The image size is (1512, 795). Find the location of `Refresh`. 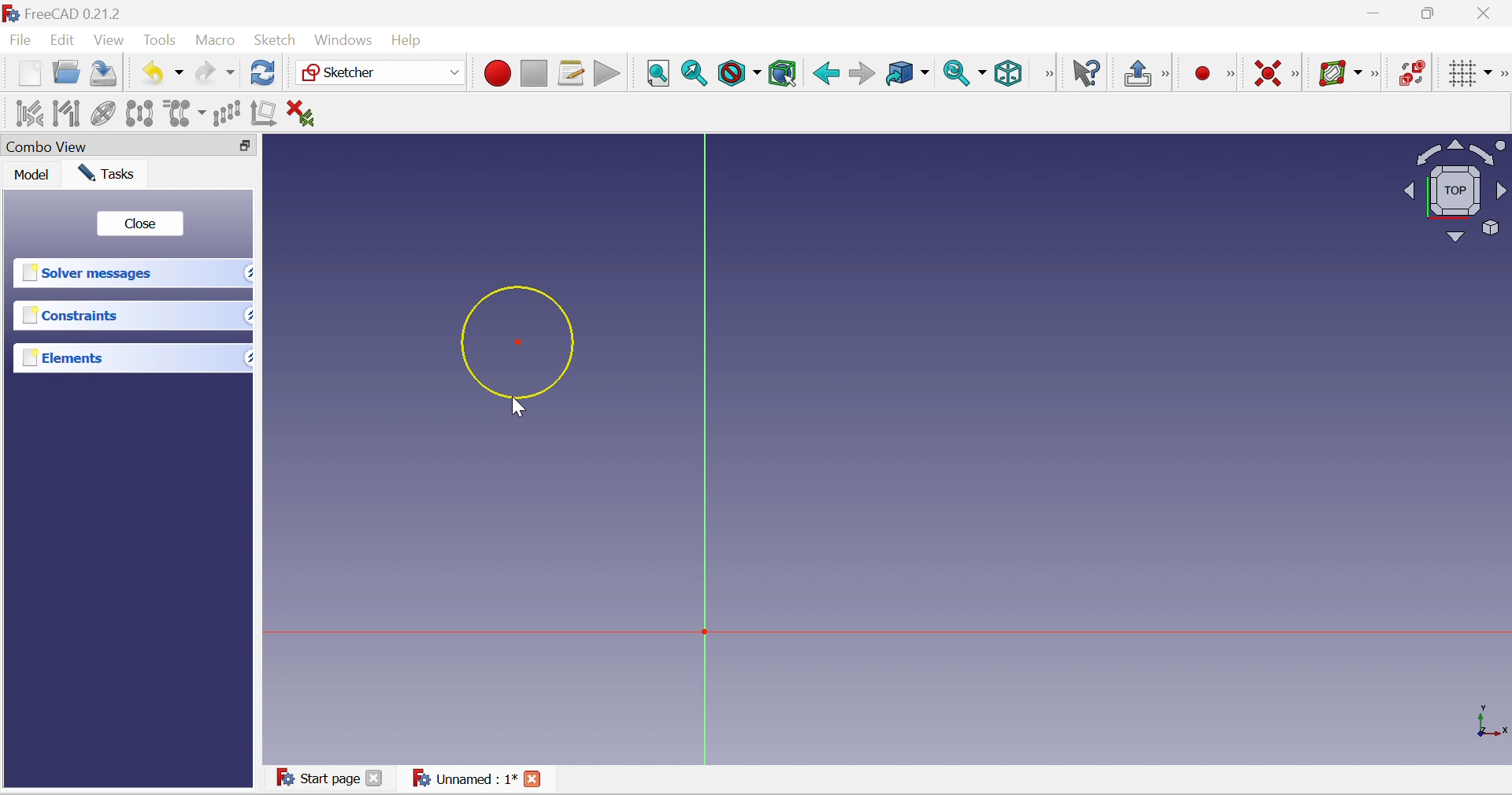

Refresh is located at coordinates (265, 74).